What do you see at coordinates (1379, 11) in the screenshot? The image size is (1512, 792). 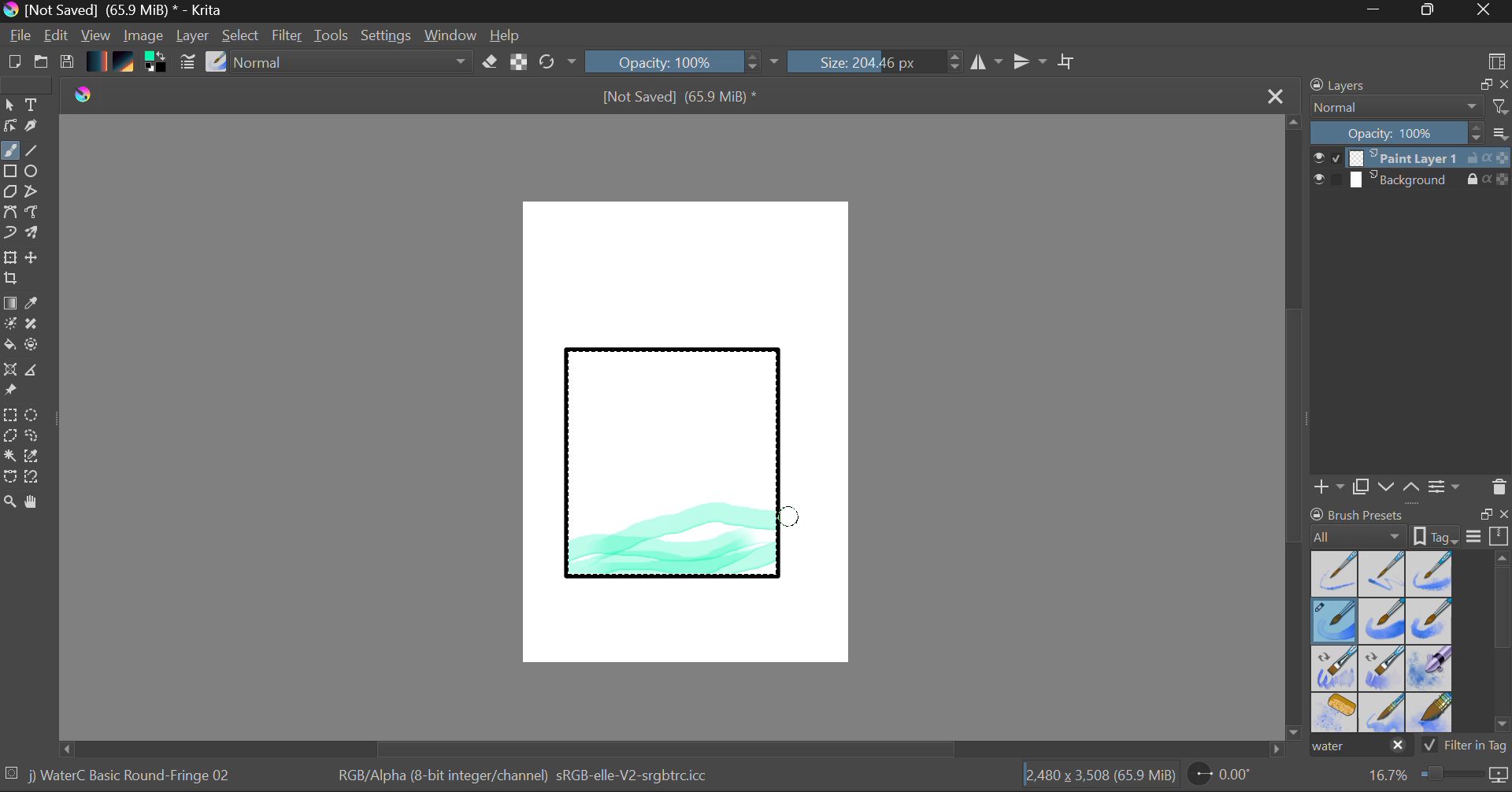 I see `Restore Down` at bounding box center [1379, 11].